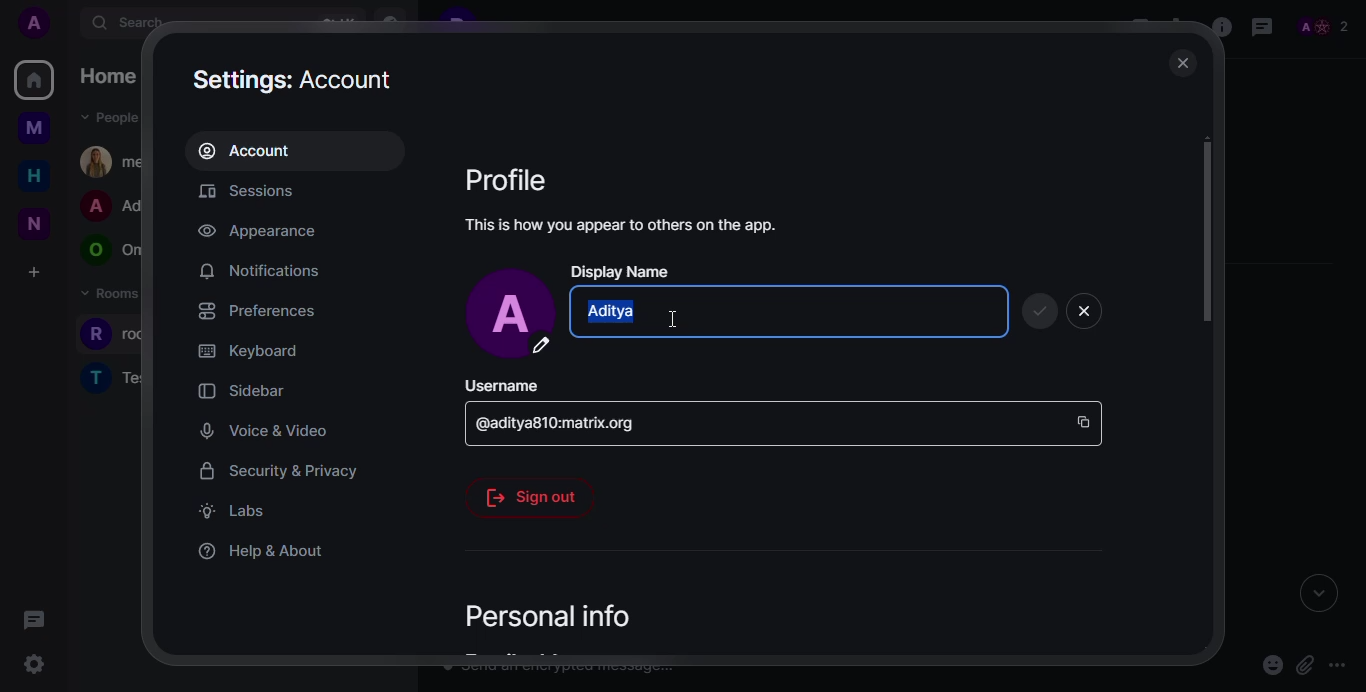 The height and width of the screenshot is (692, 1366). Describe the element at coordinates (263, 429) in the screenshot. I see `voice` at that location.